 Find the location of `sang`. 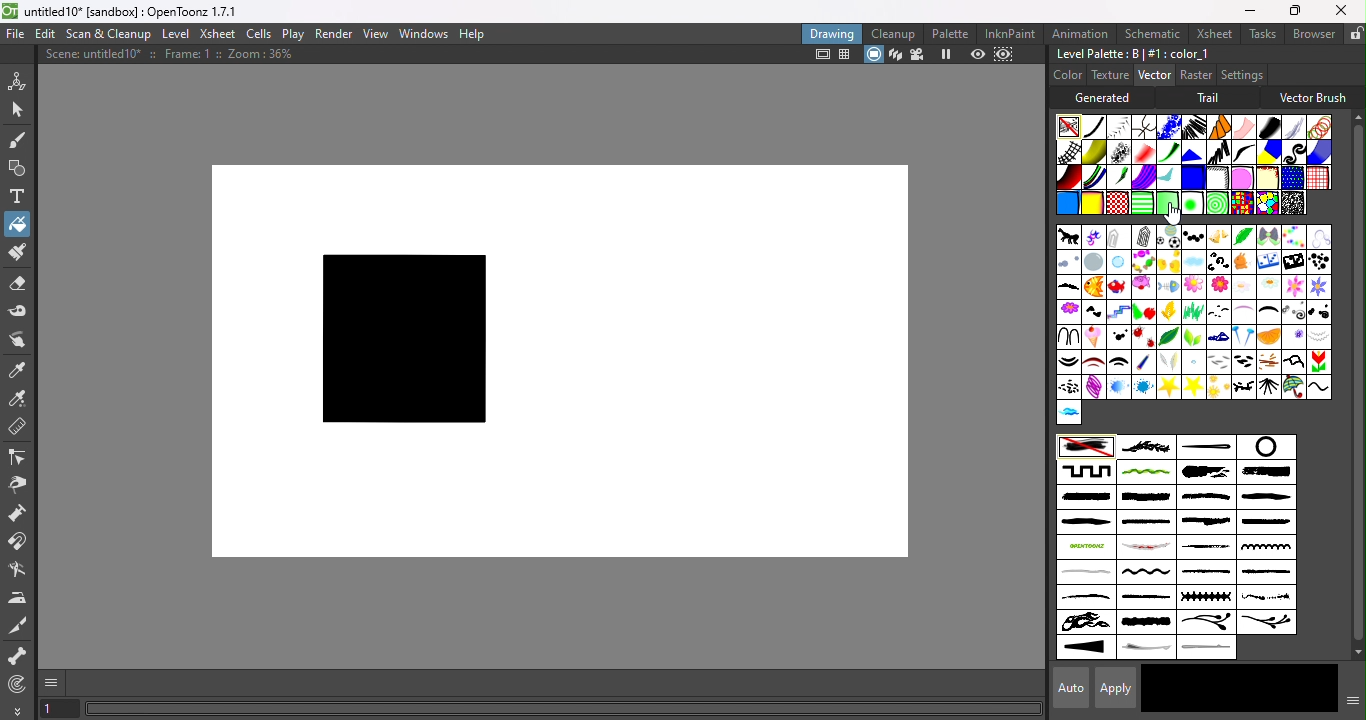

sang is located at coordinates (1268, 362).